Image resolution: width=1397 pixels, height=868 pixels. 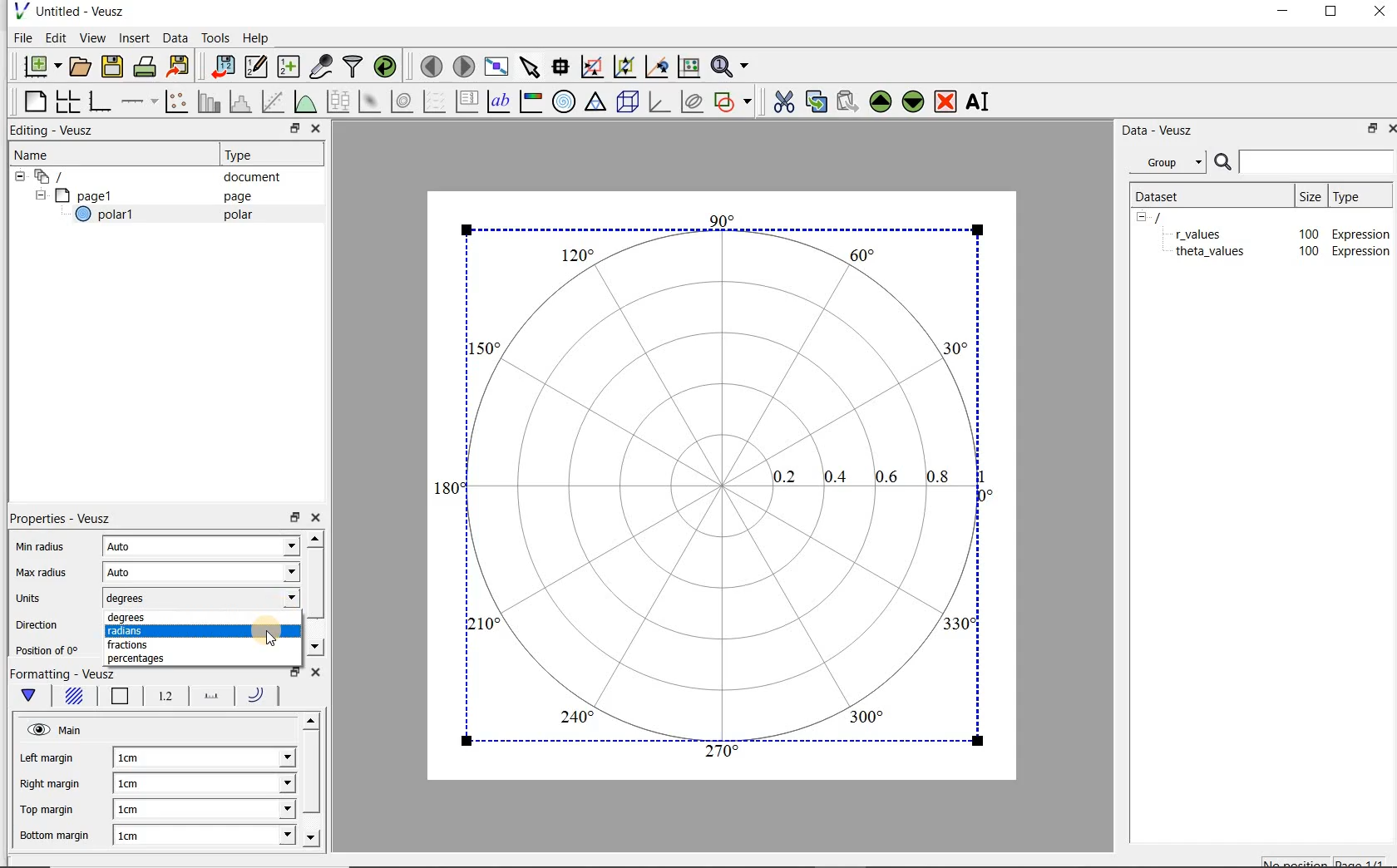 What do you see at coordinates (817, 101) in the screenshot?
I see `copy the selected widget` at bounding box center [817, 101].